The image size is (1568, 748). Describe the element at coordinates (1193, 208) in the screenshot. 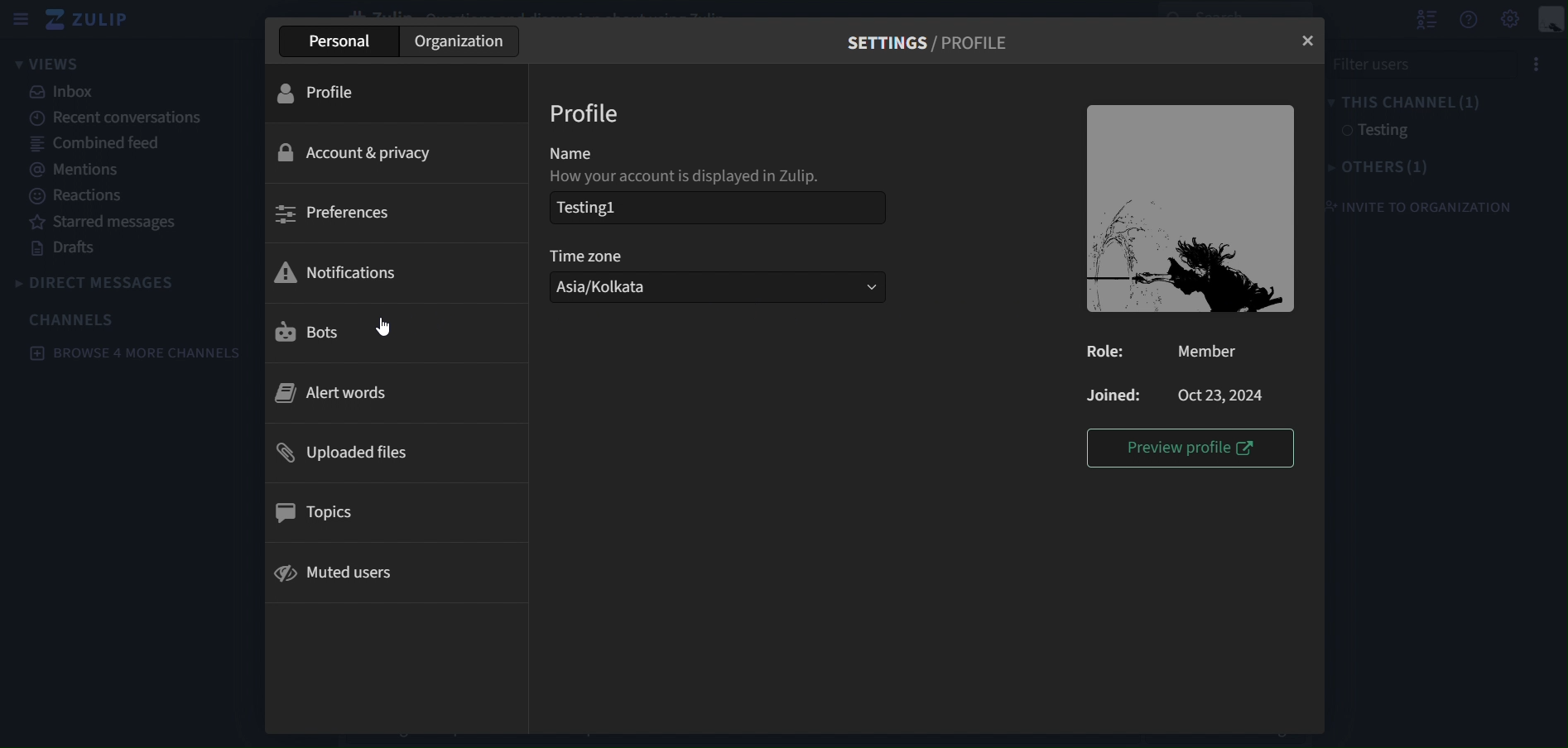

I see `image` at that location.